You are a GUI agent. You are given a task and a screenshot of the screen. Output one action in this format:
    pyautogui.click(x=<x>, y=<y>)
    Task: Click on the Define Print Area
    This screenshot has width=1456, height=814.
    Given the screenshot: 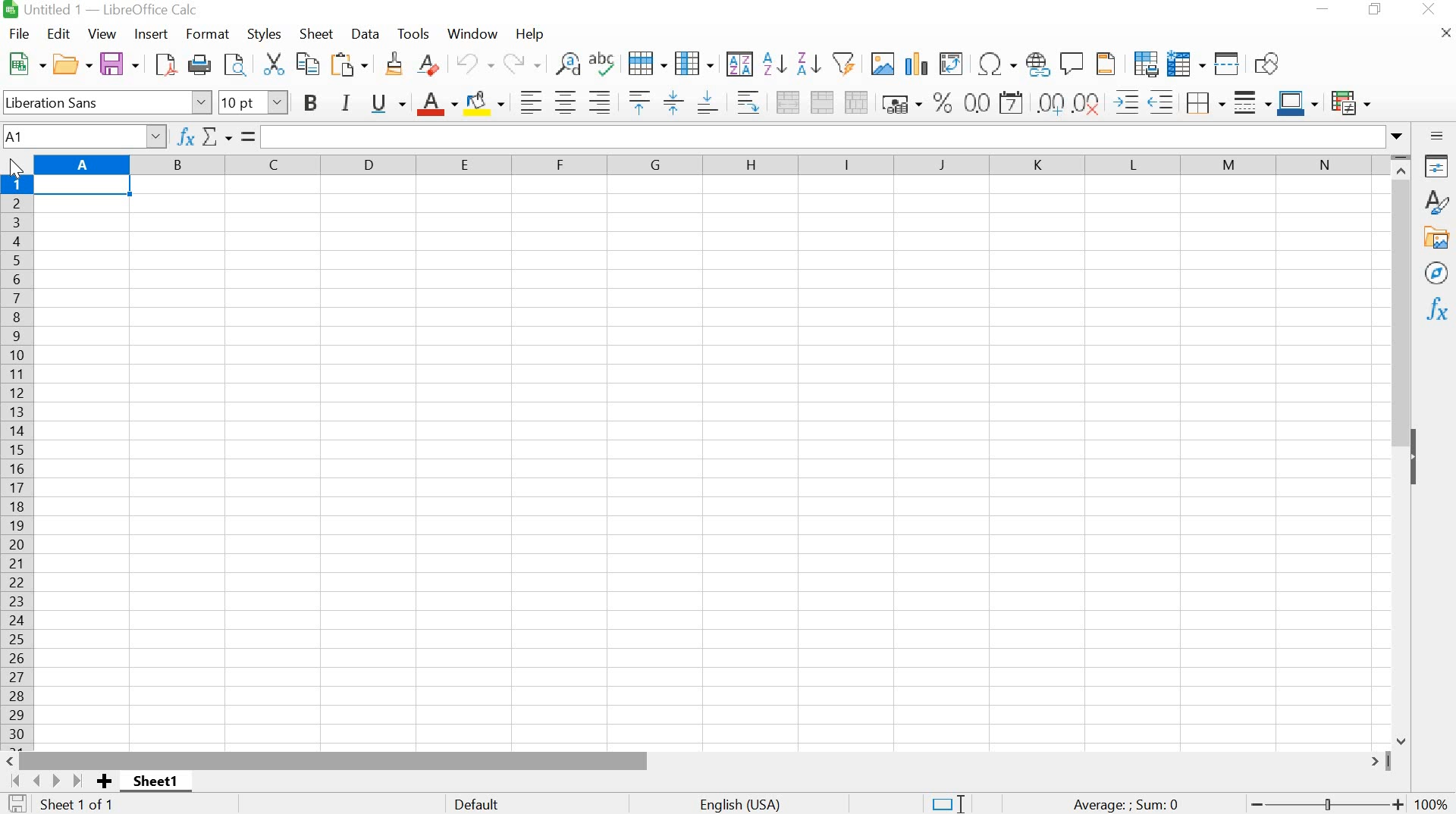 What is the action you would take?
    pyautogui.click(x=1145, y=64)
    